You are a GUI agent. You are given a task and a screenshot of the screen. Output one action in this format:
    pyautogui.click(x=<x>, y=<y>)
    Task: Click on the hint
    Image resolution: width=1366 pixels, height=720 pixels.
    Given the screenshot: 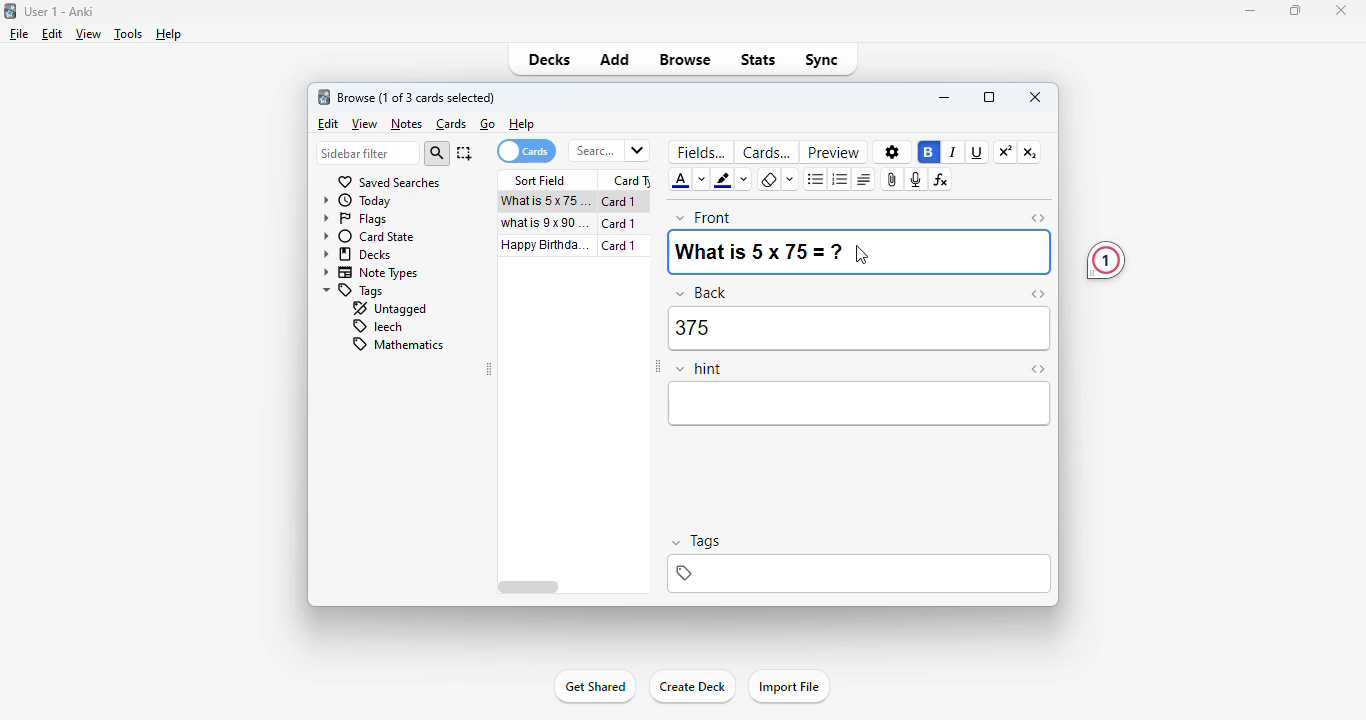 What is the action you would take?
    pyautogui.click(x=699, y=370)
    